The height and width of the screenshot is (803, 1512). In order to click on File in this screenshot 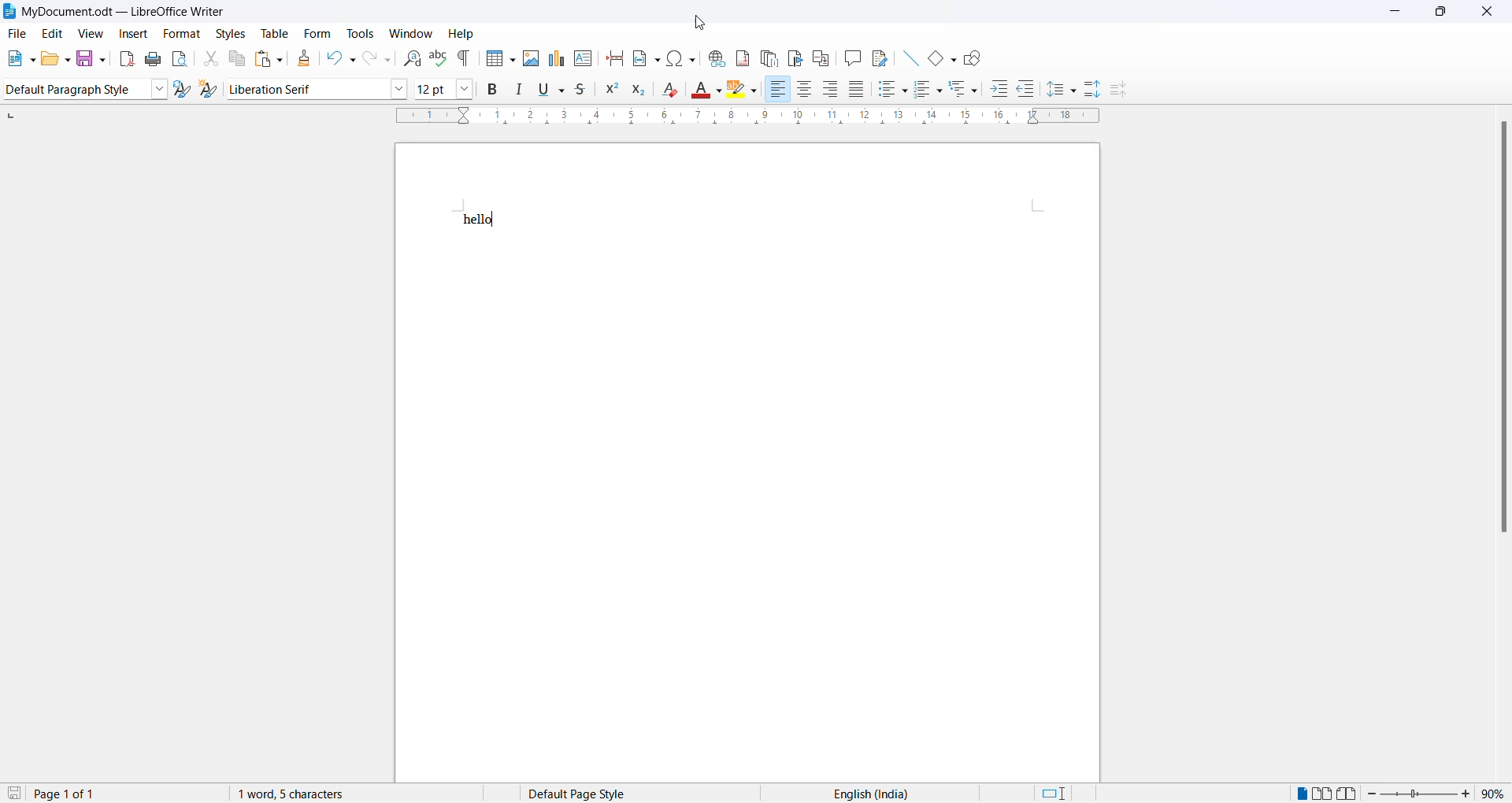, I will do `click(17, 33)`.